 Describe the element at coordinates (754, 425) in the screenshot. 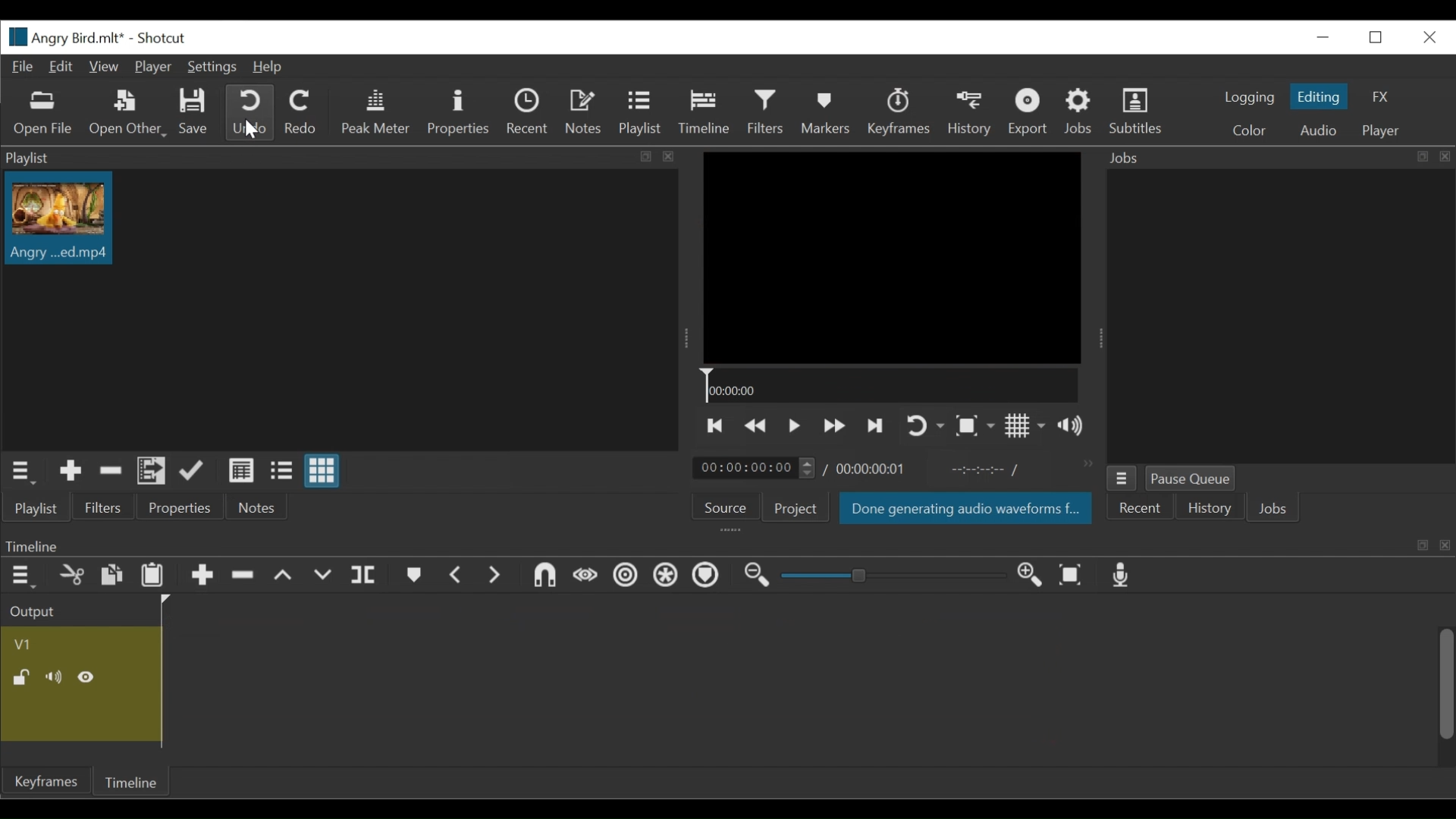

I see `Play backward quickly` at that location.